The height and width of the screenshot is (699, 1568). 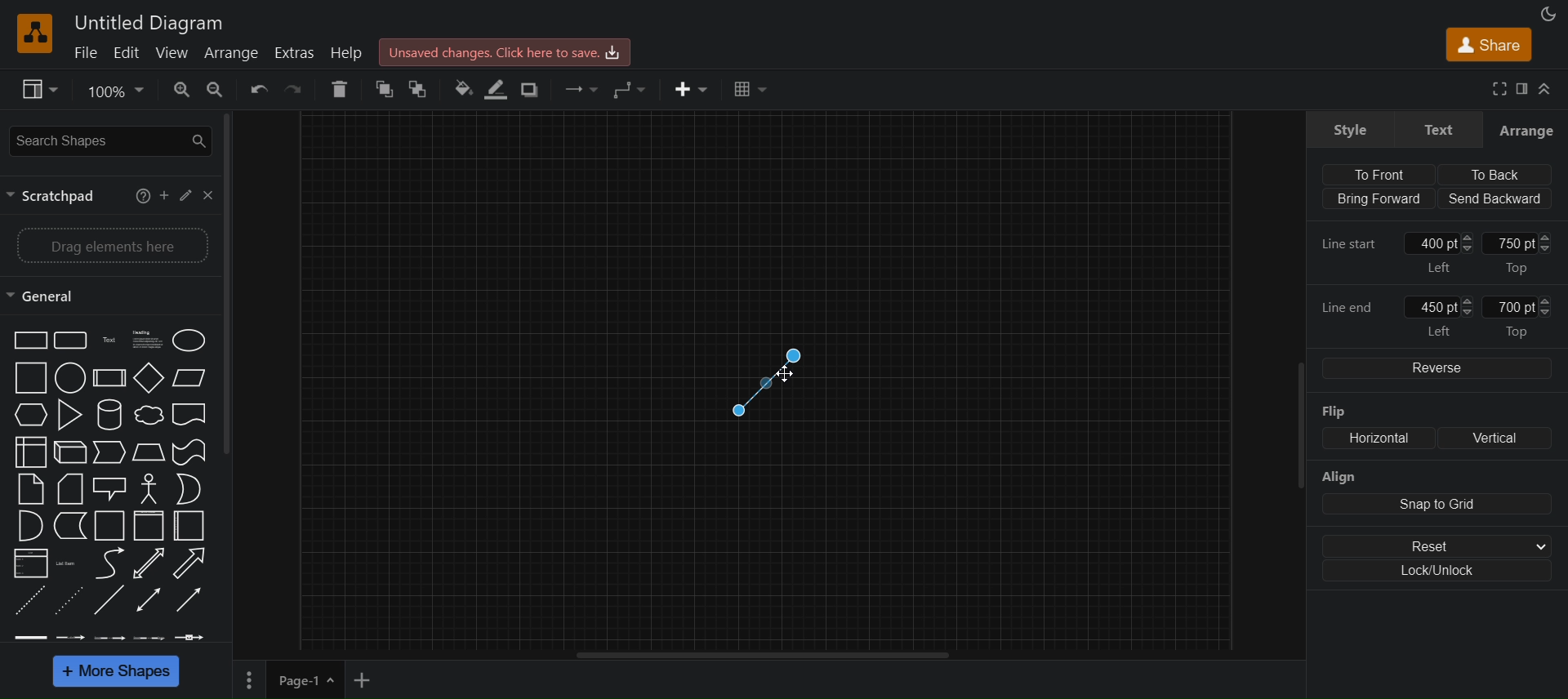 I want to click on Rectangle, so click(x=28, y=340).